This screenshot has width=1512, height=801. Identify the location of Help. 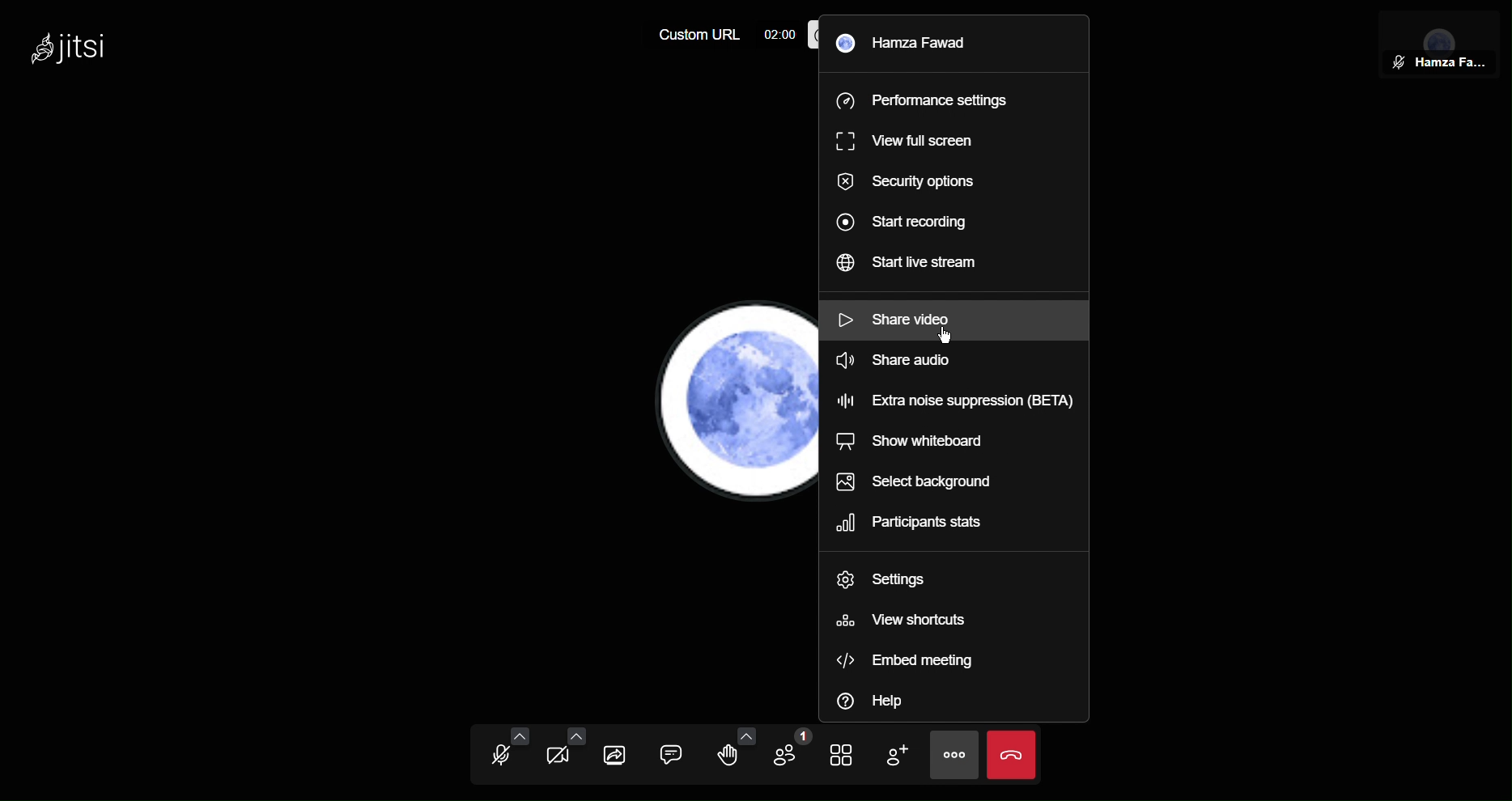
(877, 697).